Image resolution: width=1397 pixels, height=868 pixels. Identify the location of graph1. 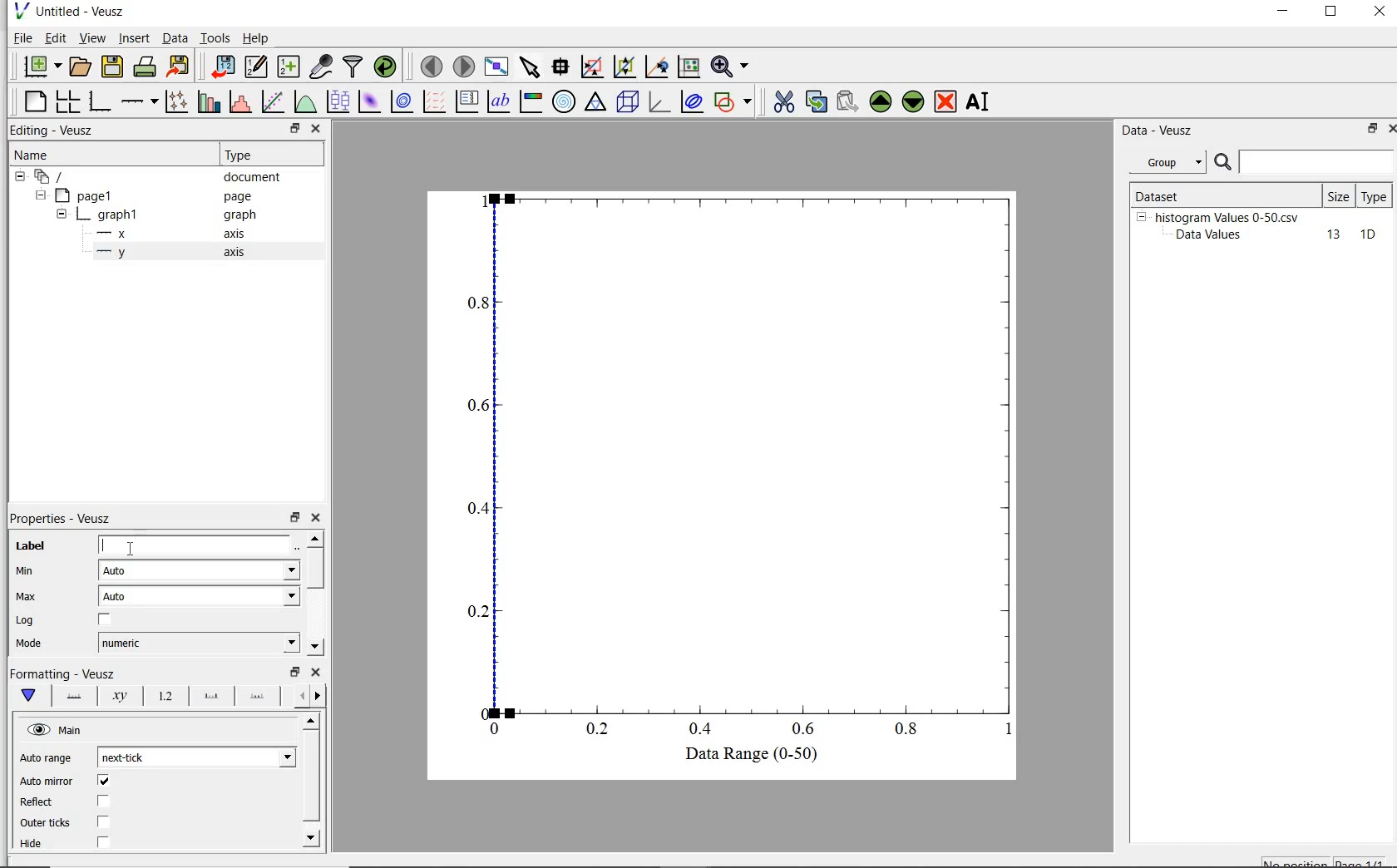
(111, 217).